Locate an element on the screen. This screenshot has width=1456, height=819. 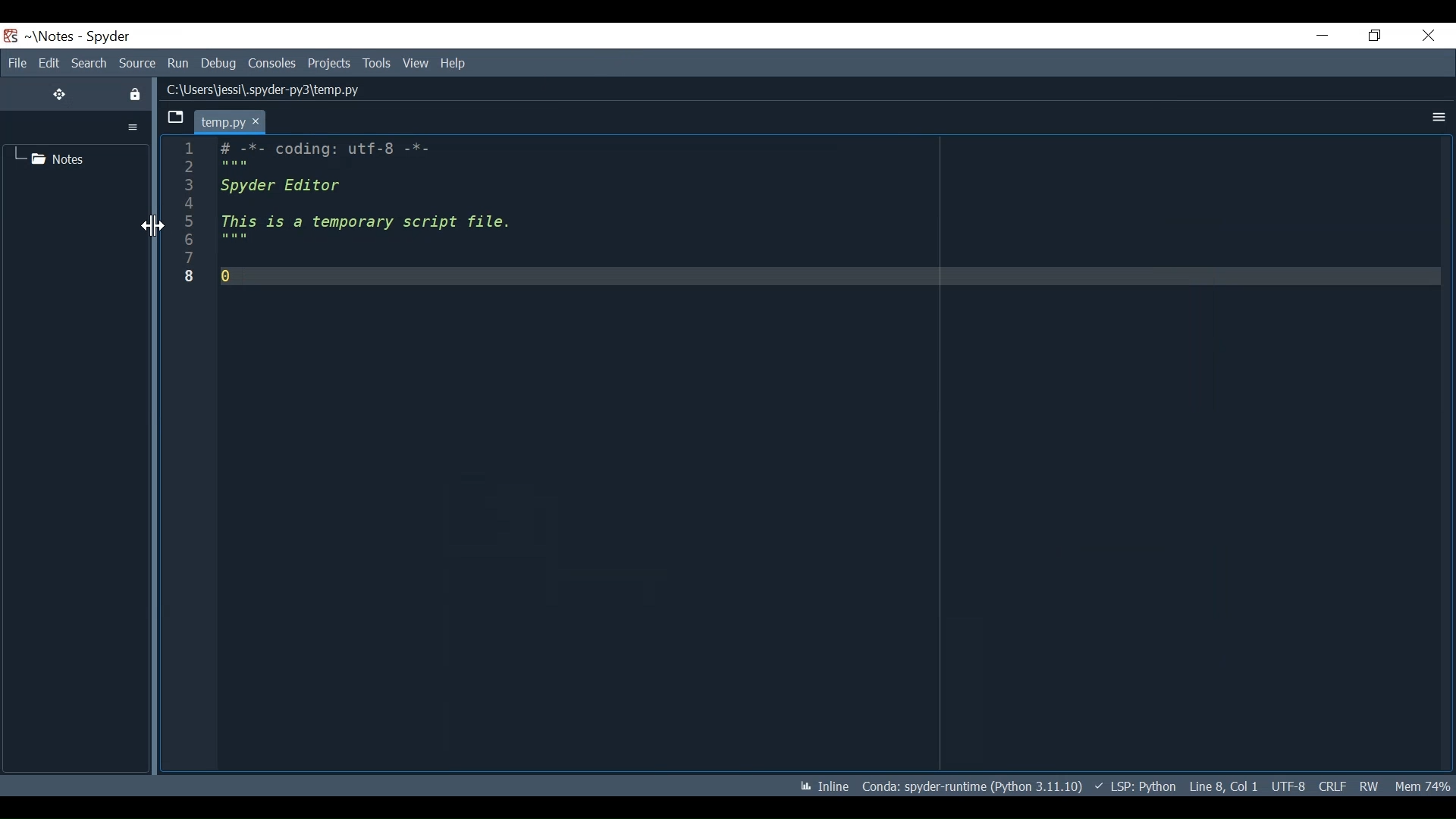
Debug is located at coordinates (219, 64).